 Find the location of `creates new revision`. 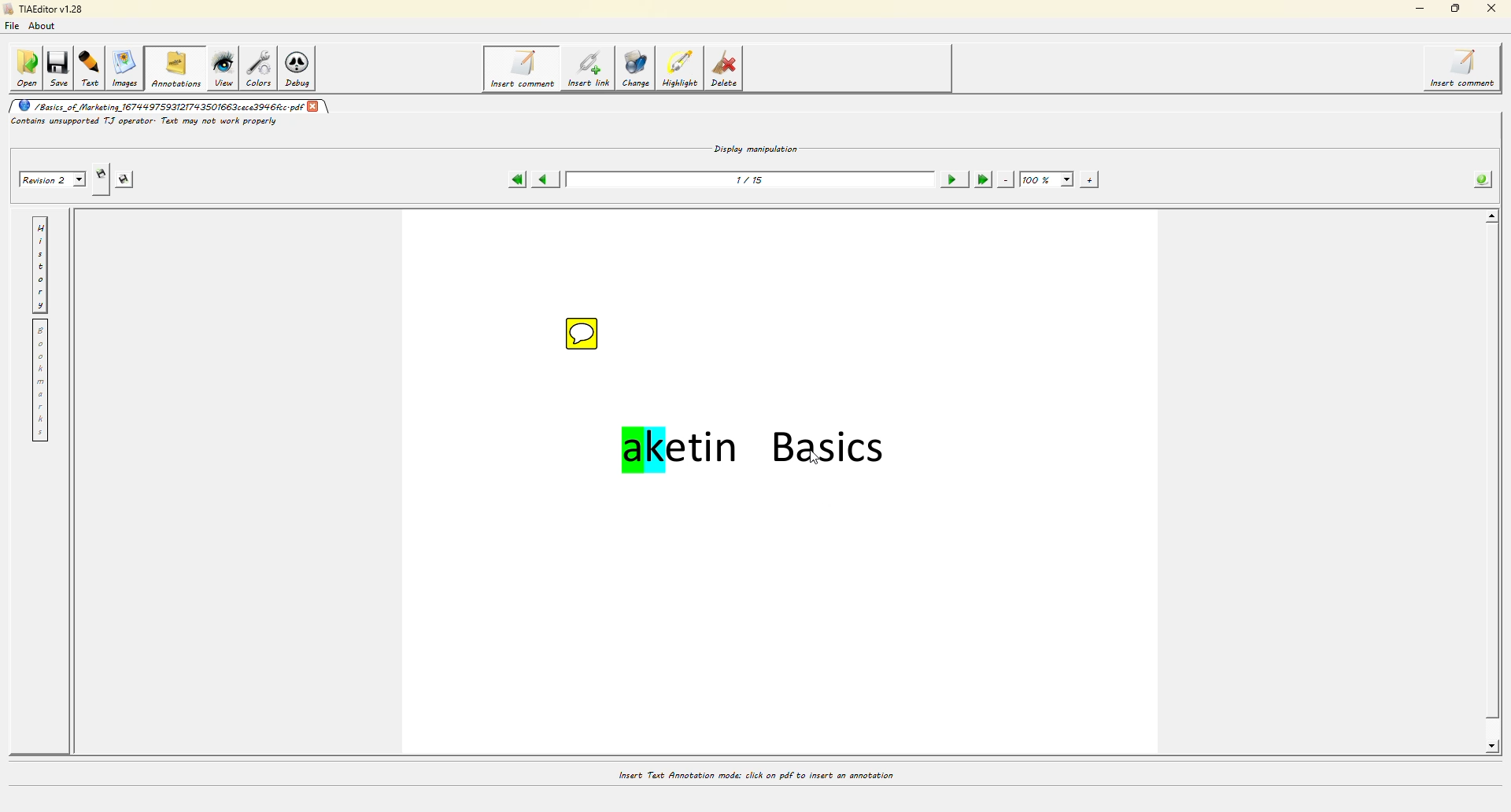

creates new revision is located at coordinates (100, 179).